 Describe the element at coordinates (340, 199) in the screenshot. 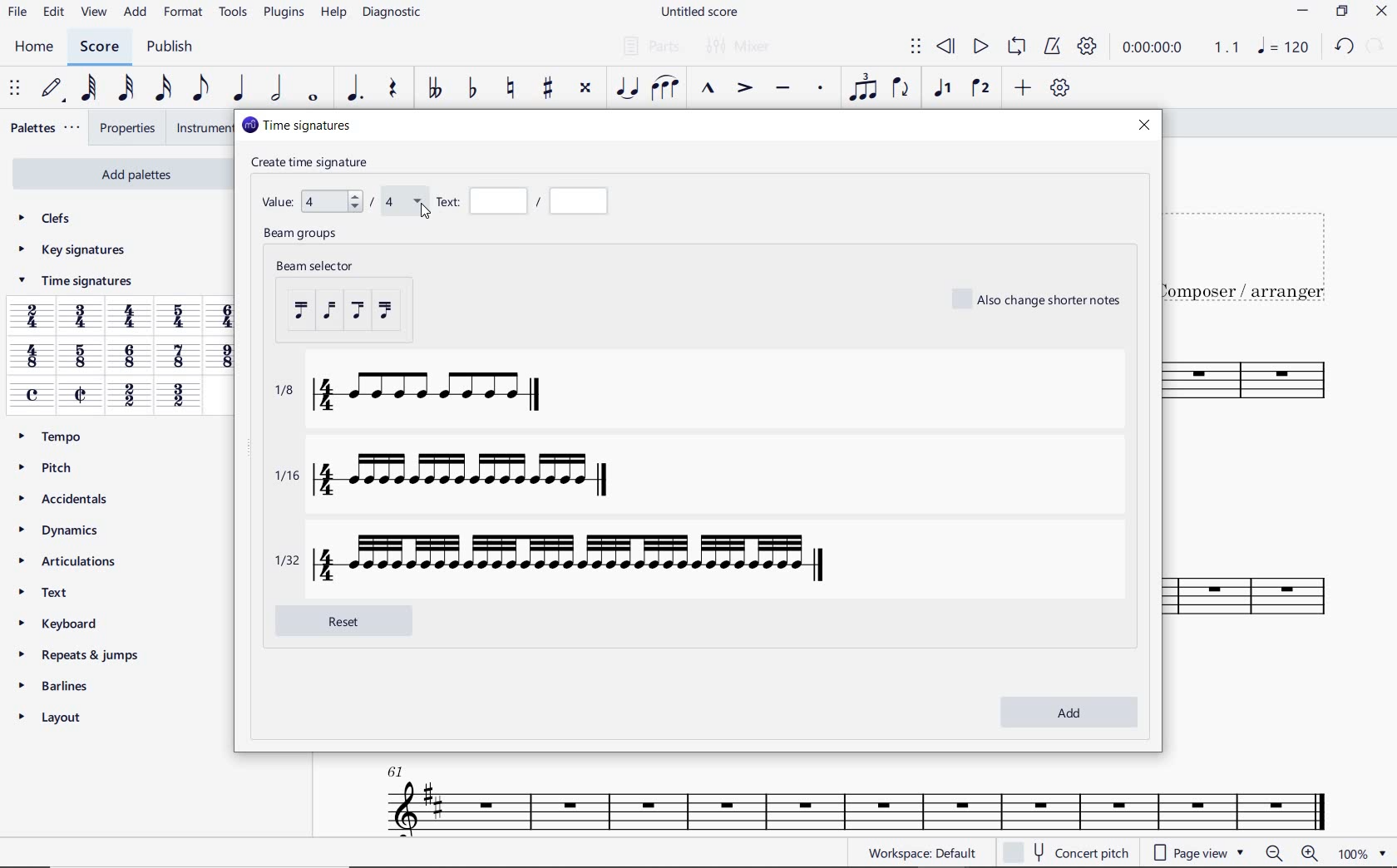

I see `value` at that location.